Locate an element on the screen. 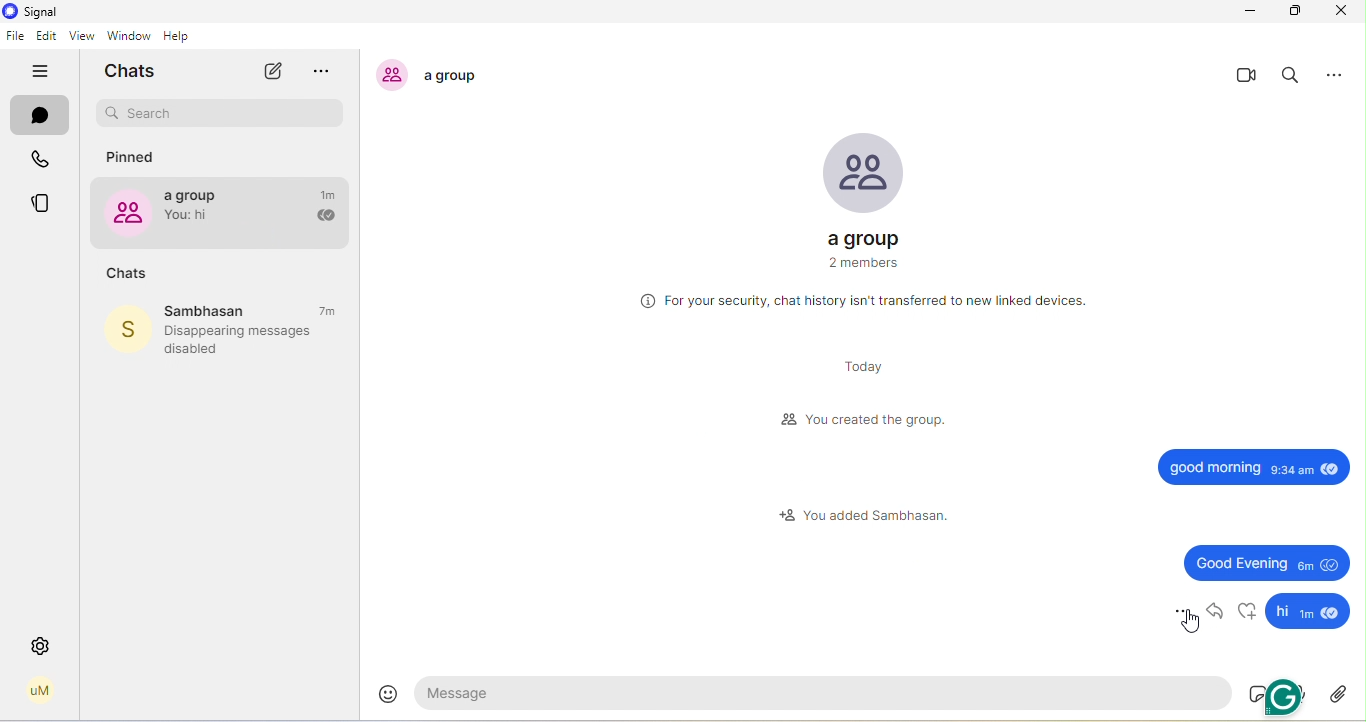 Image resolution: width=1366 pixels, height=722 pixels. search is located at coordinates (1293, 77).